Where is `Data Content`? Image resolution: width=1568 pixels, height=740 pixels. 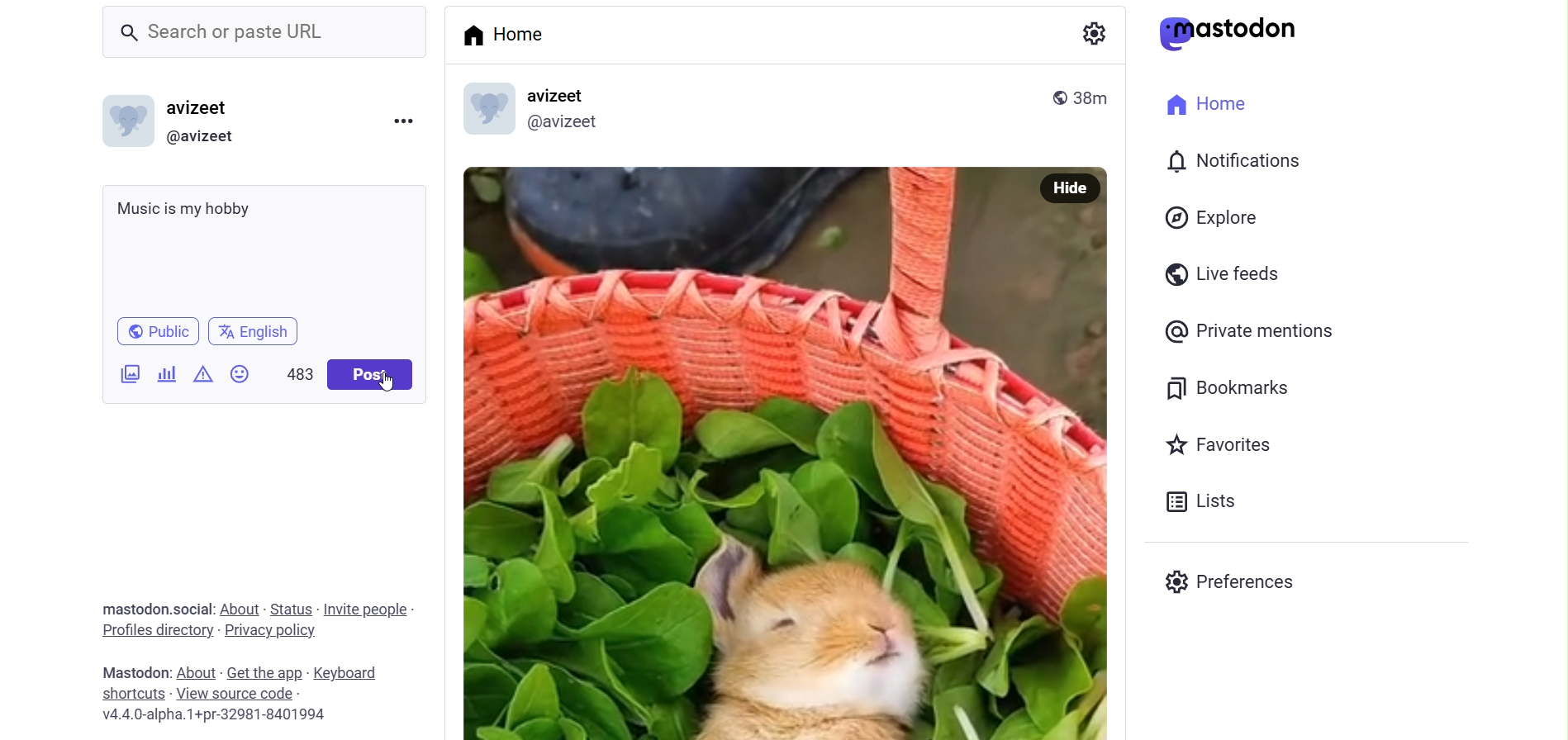
Data Content is located at coordinates (205, 372).